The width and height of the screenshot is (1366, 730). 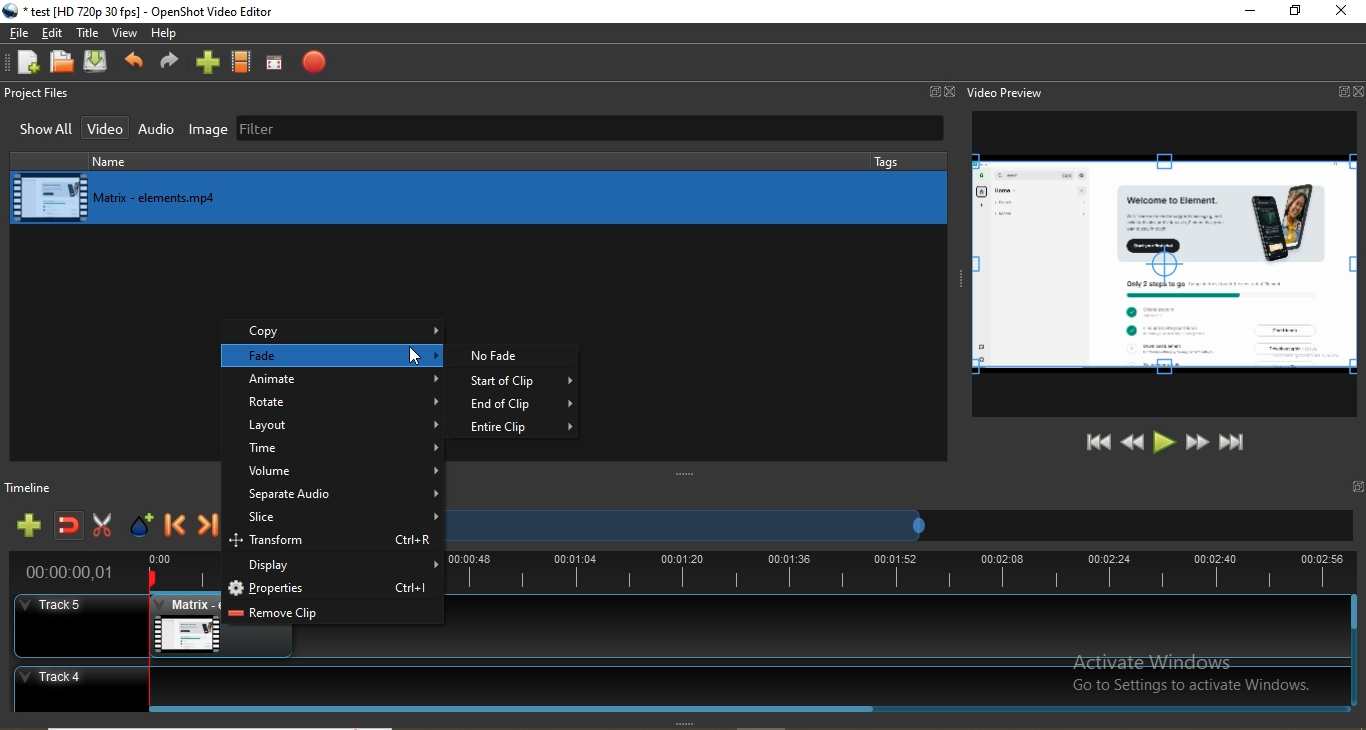 What do you see at coordinates (167, 35) in the screenshot?
I see `Help` at bounding box center [167, 35].